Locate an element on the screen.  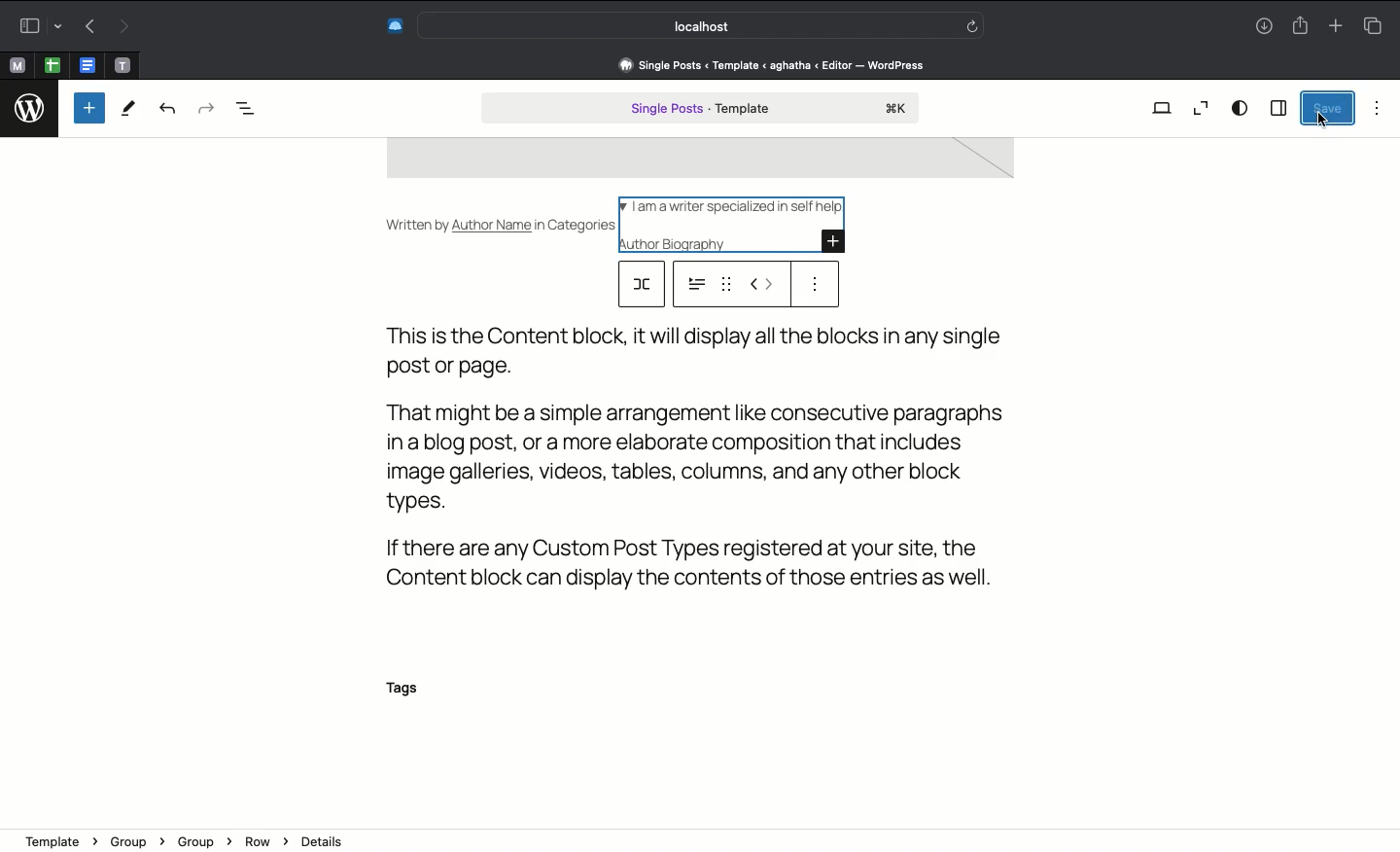
template is located at coordinates (59, 835).